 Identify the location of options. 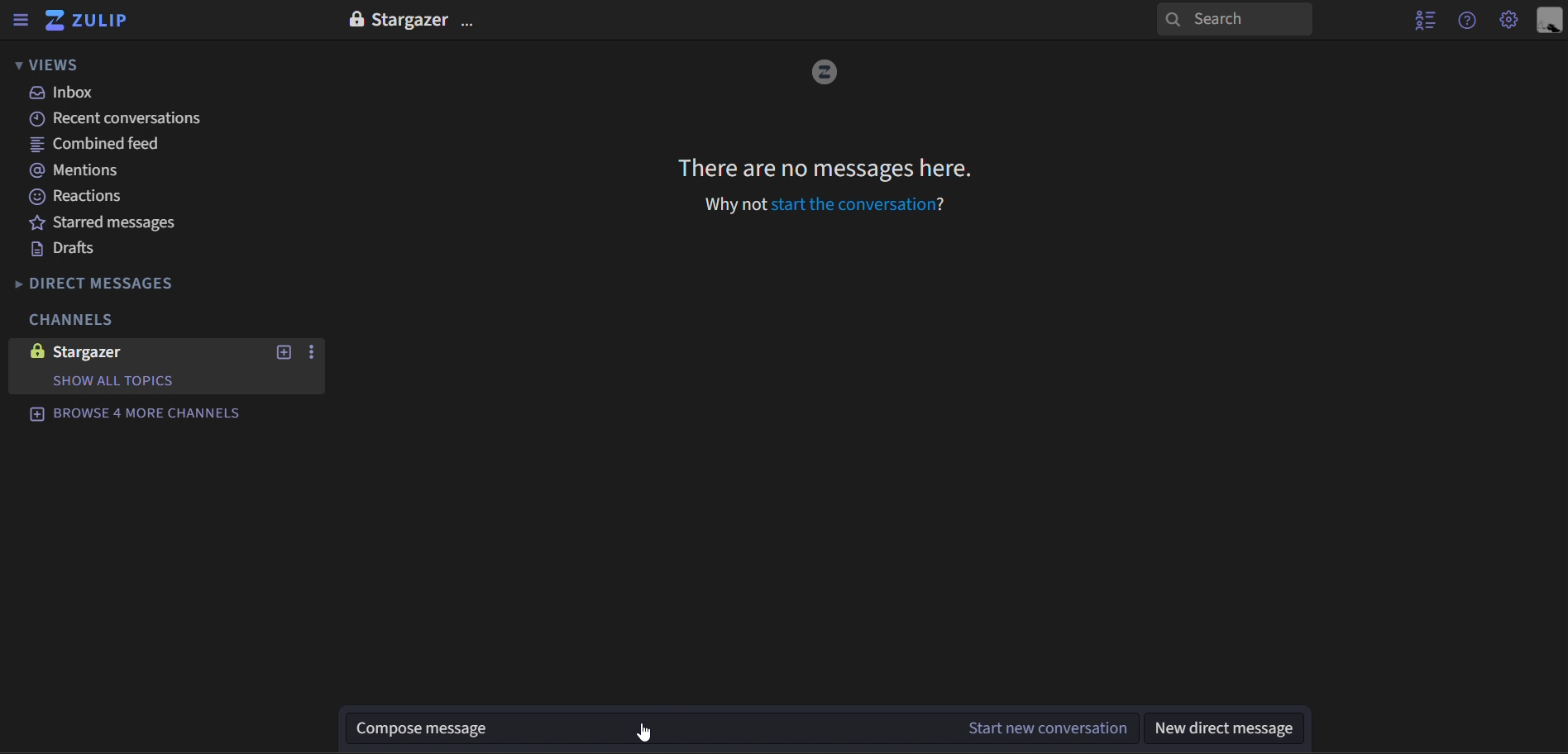
(309, 353).